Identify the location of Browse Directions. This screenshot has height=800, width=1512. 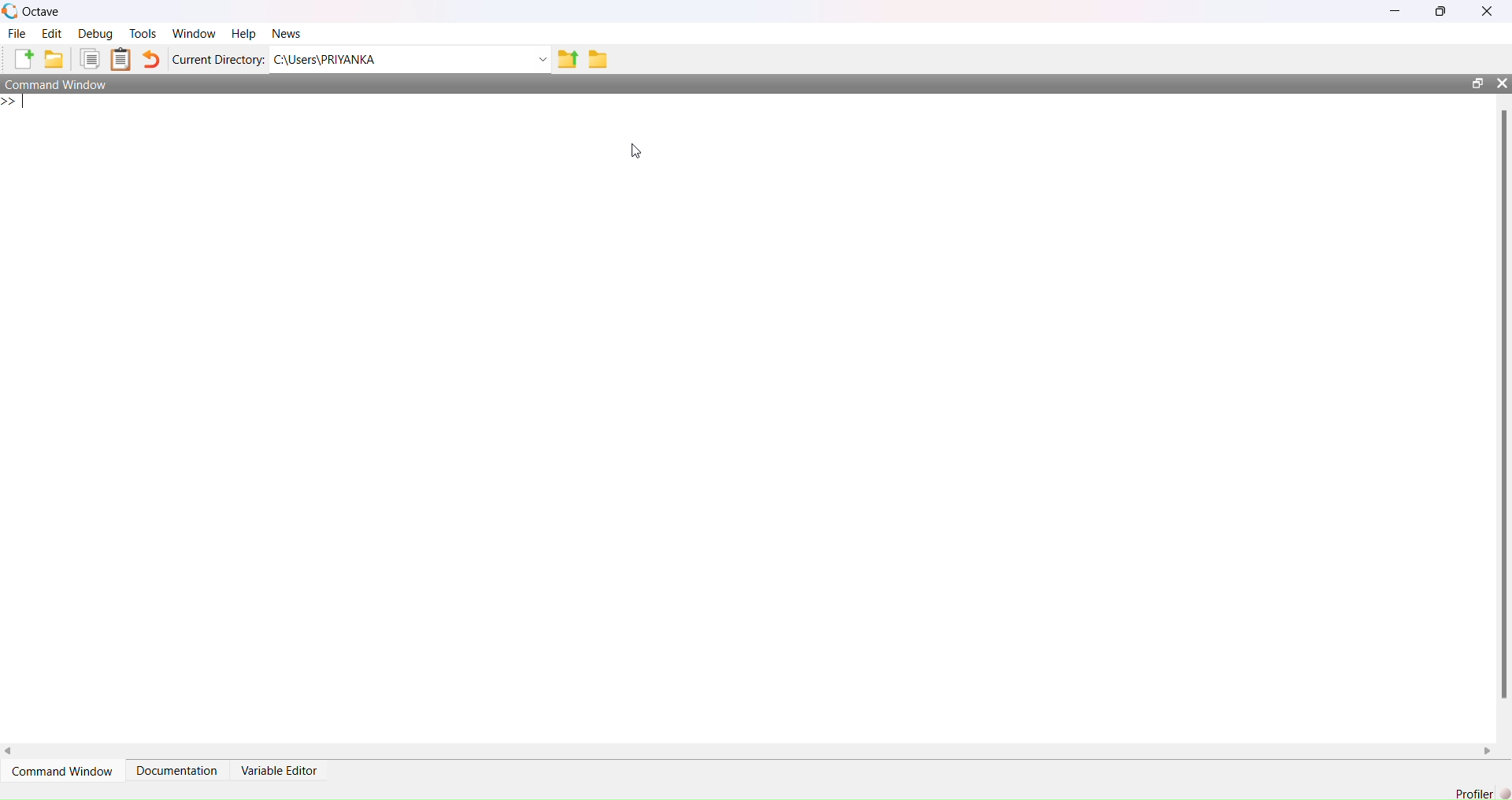
(598, 59).